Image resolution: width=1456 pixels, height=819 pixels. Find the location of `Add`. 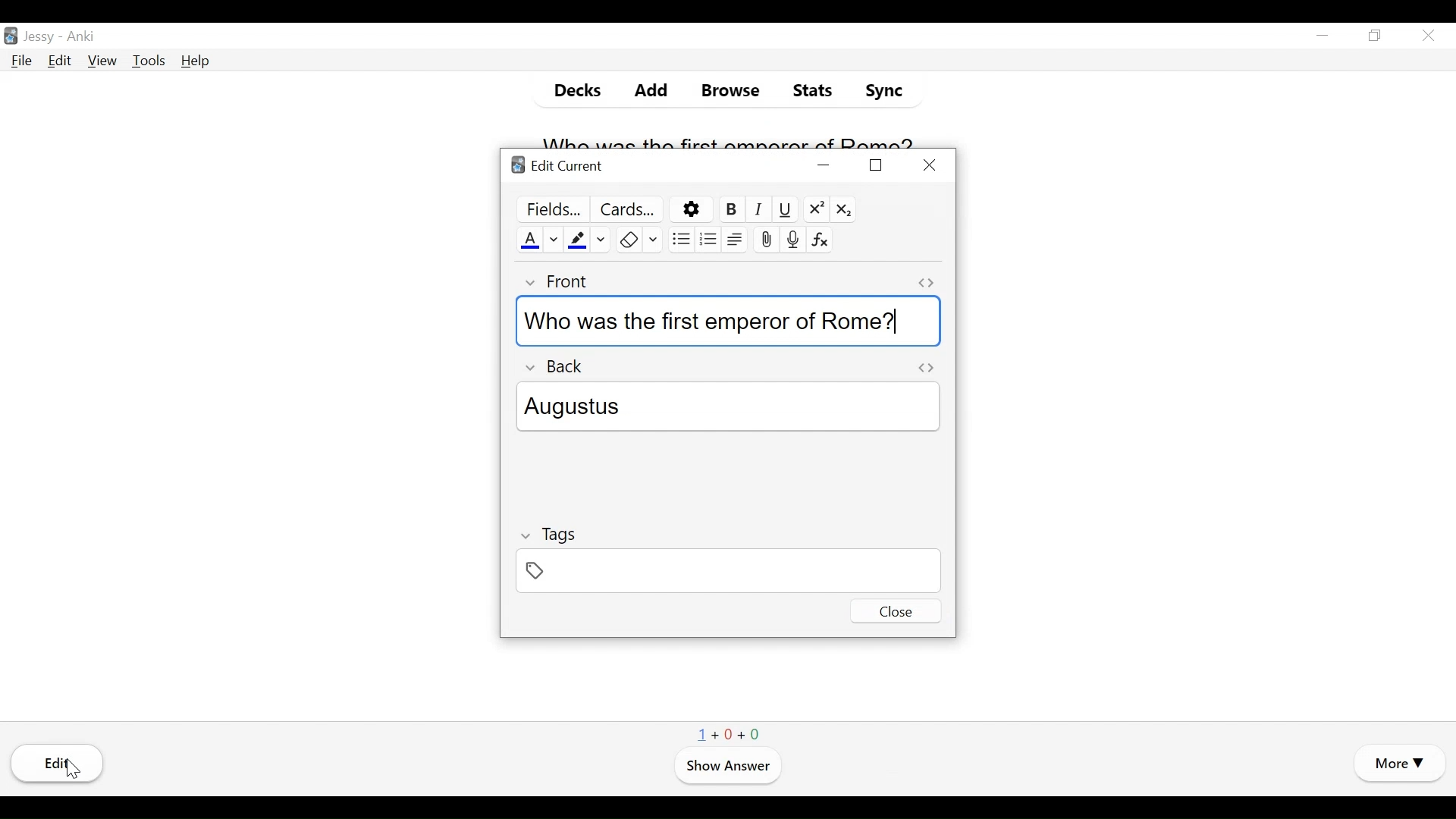

Add is located at coordinates (641, 90).